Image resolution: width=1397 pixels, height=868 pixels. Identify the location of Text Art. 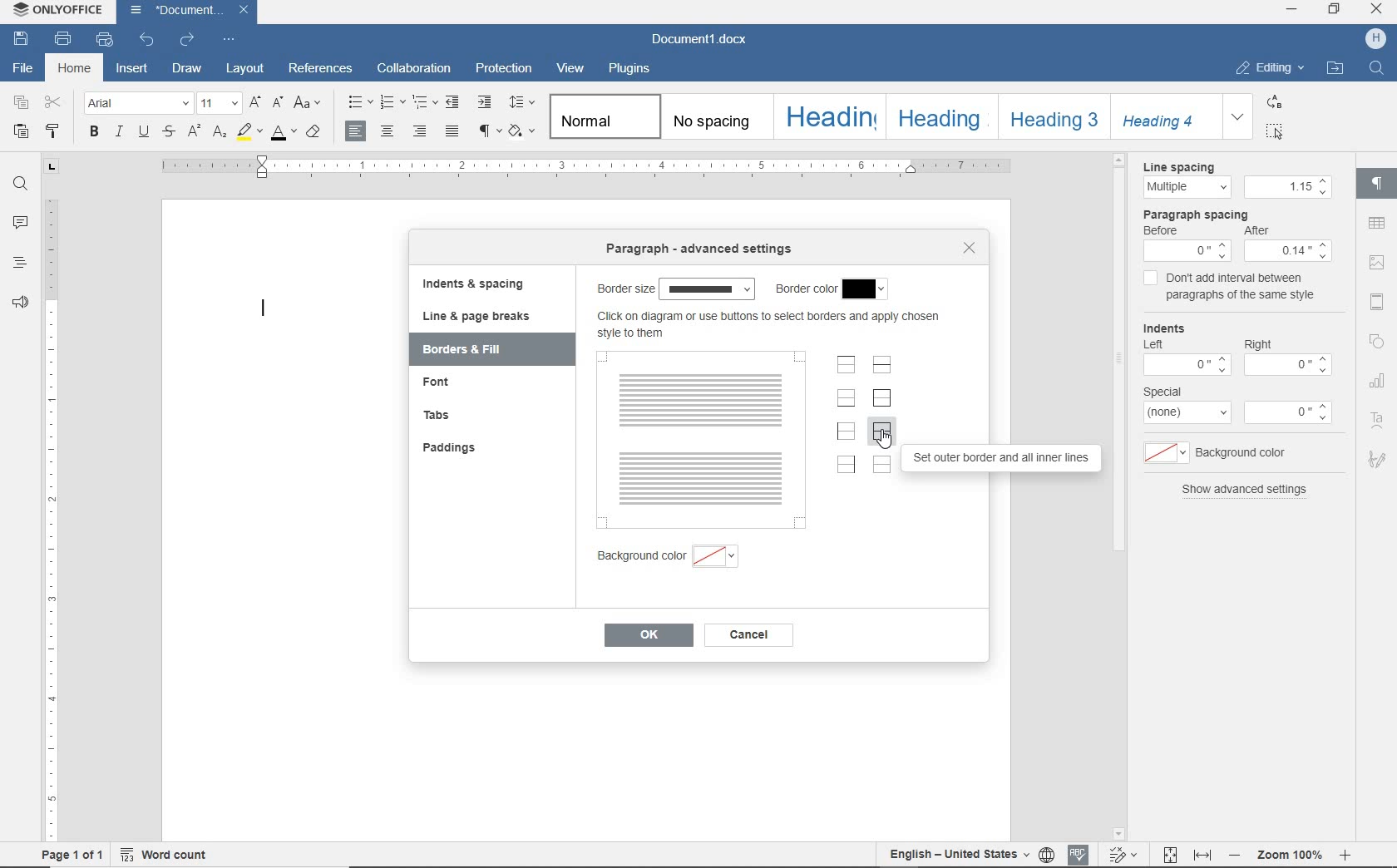
(1379, 421).